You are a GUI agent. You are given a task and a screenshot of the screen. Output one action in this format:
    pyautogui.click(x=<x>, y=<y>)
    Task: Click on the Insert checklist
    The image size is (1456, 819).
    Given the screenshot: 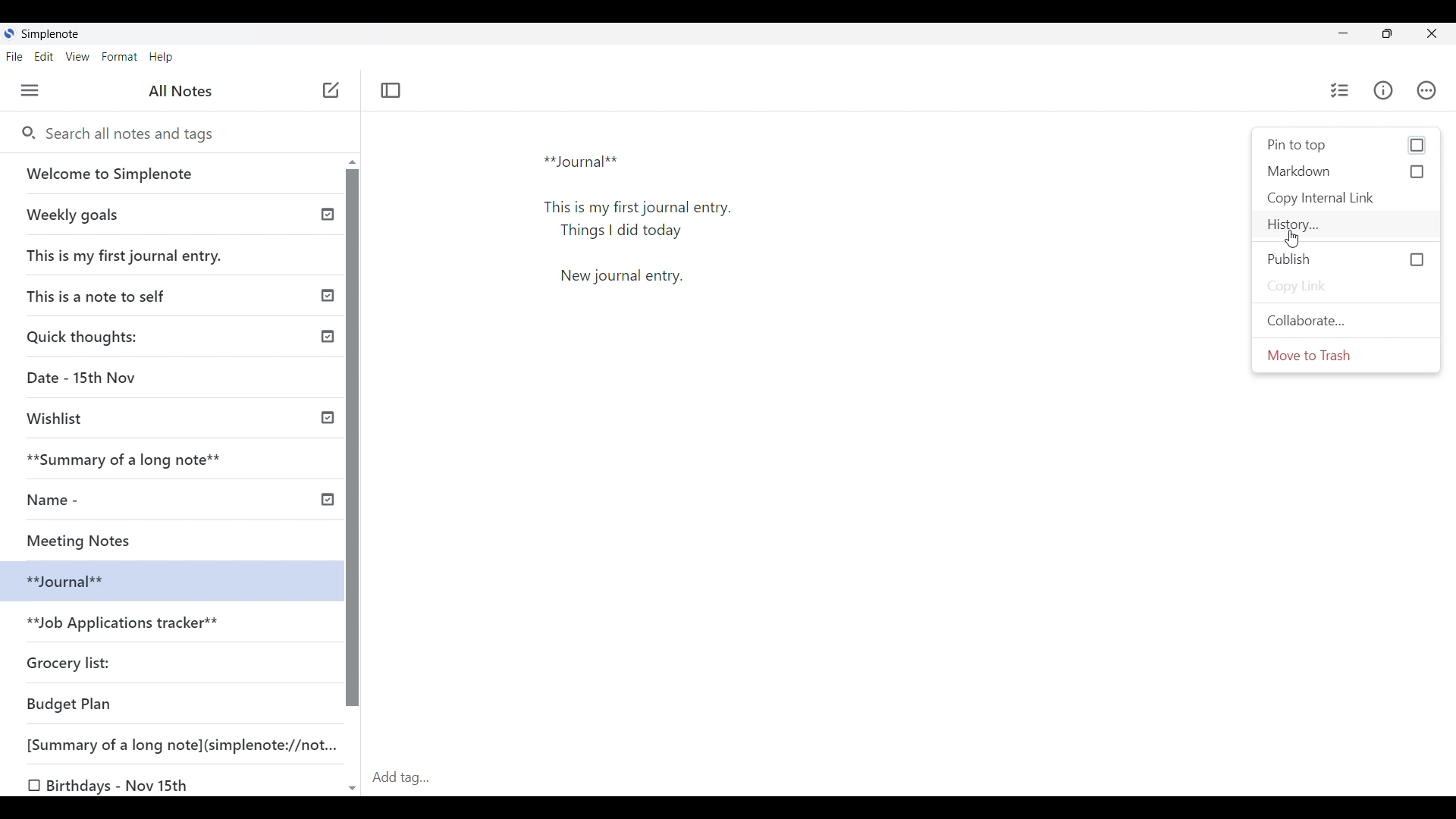 What is the action you would take?
    pyautogui.click(x=1341, y=90)
    